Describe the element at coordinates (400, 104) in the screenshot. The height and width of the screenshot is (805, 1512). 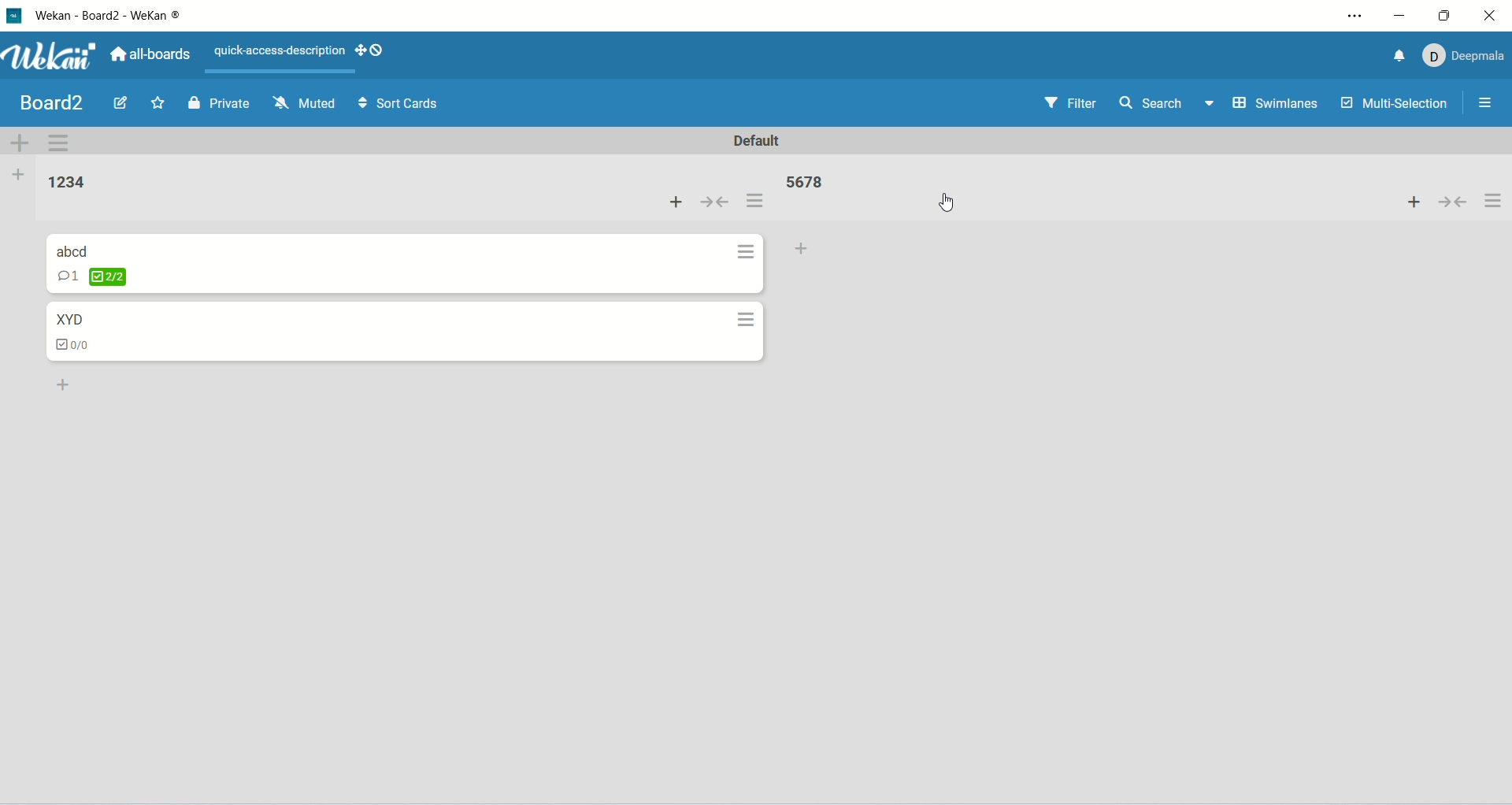
I see `sort cards` at that location.